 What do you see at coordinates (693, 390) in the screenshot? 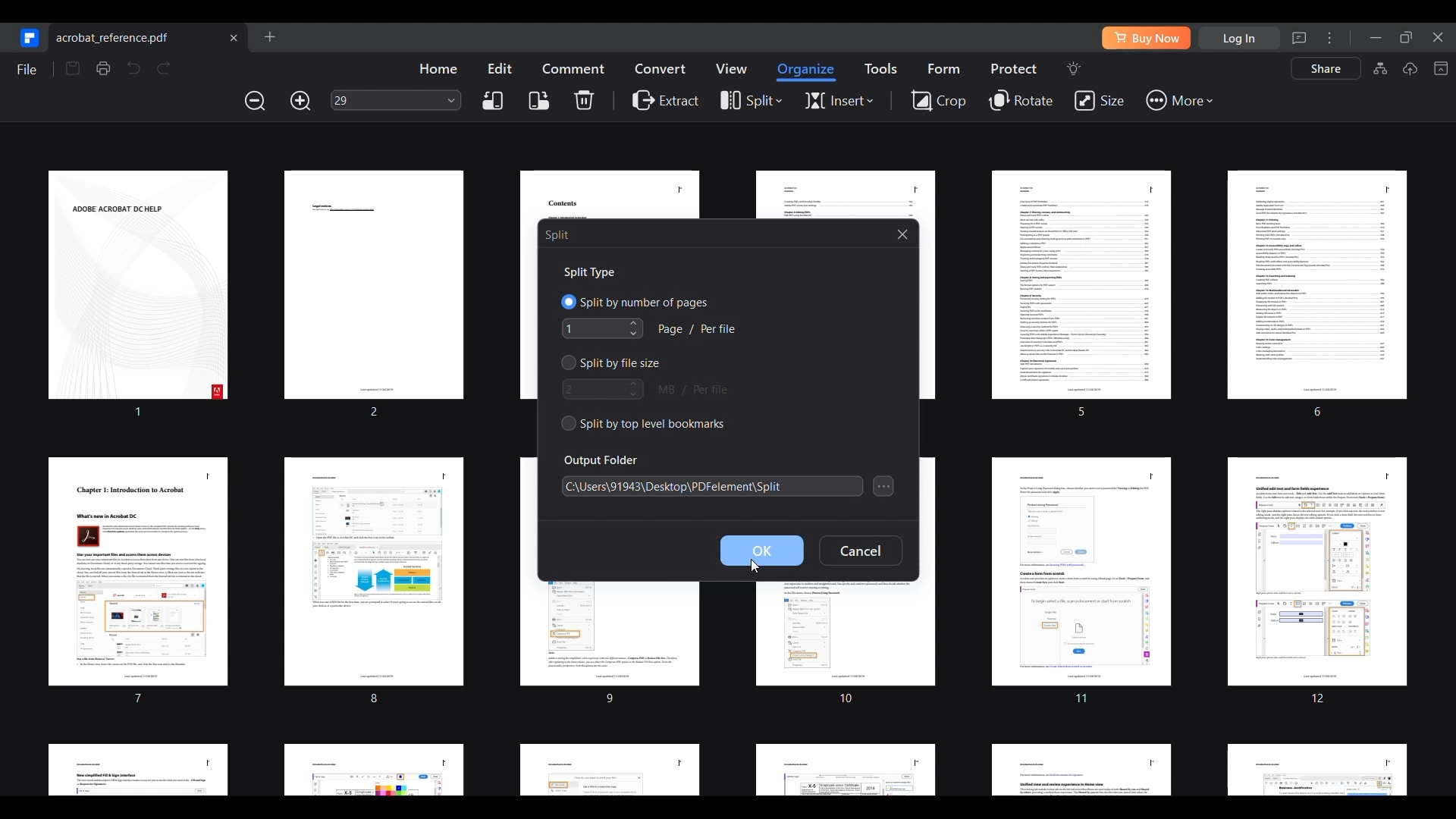
I see `MB per file` at bounding box center [693, 390].